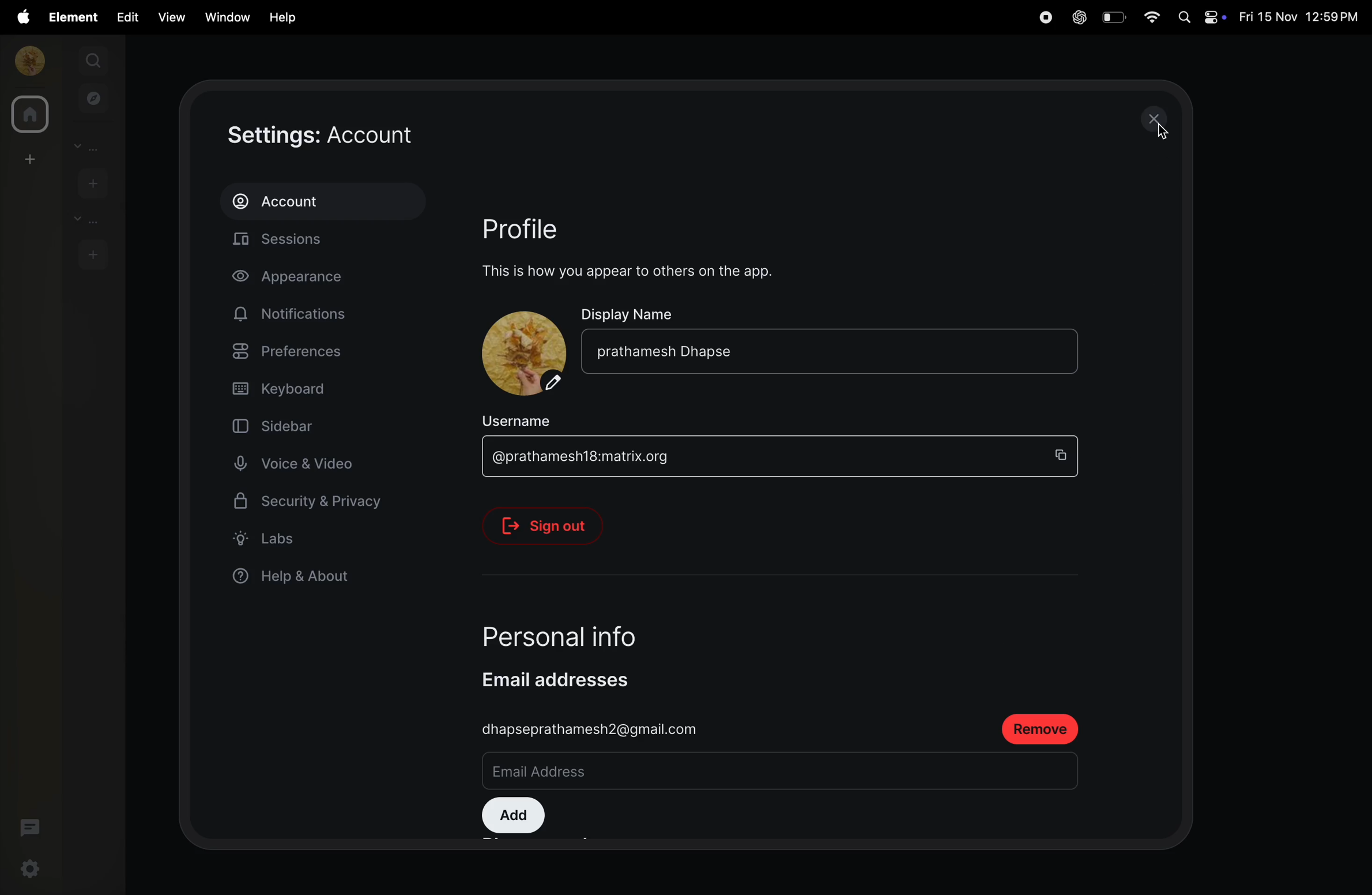  I want to click on search1, so click(95, 59).